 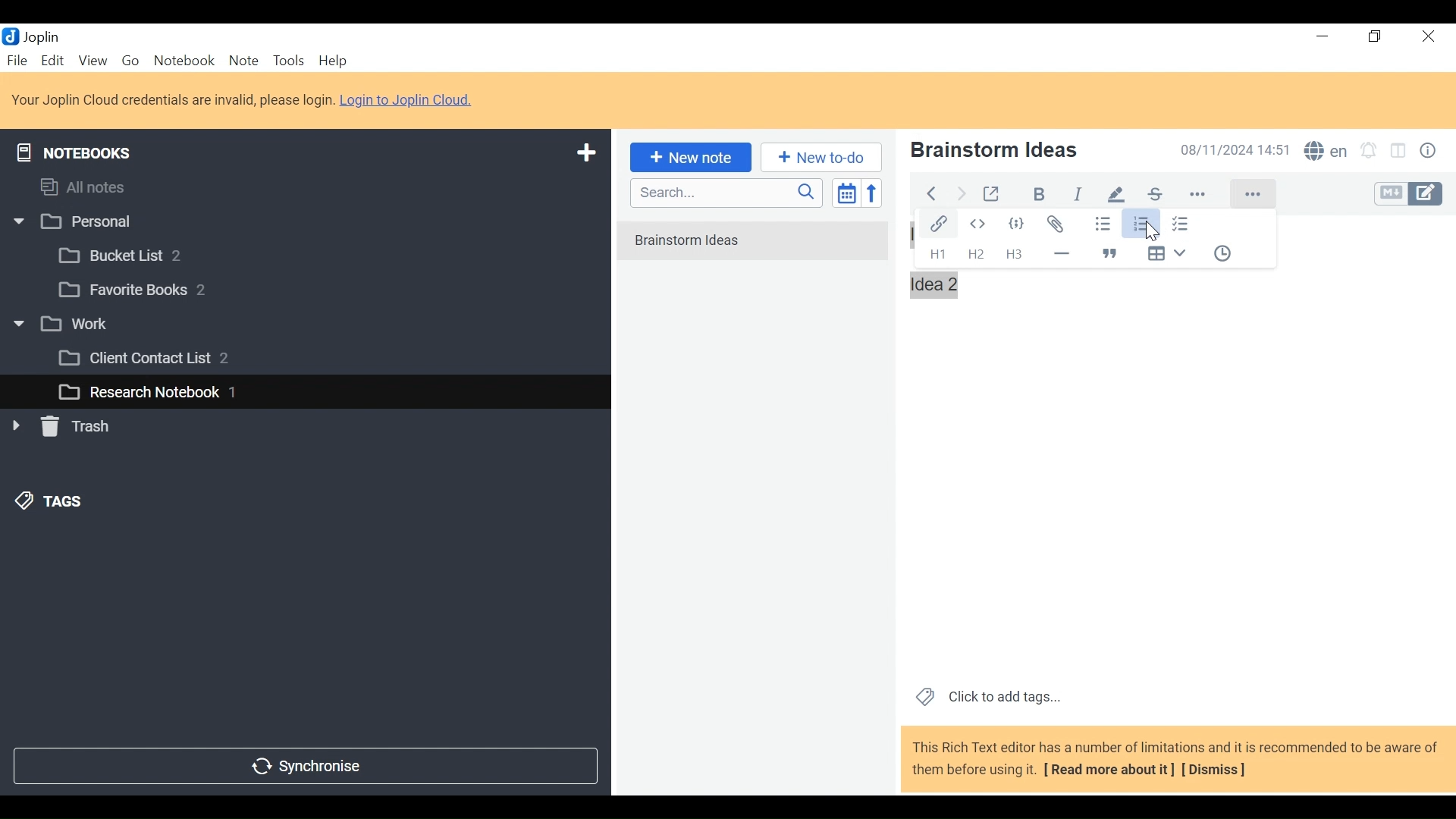 What do you see at coordinates (1020, 253) in the screenshot?
I see `Headings` at bounding box center [1020, 253].